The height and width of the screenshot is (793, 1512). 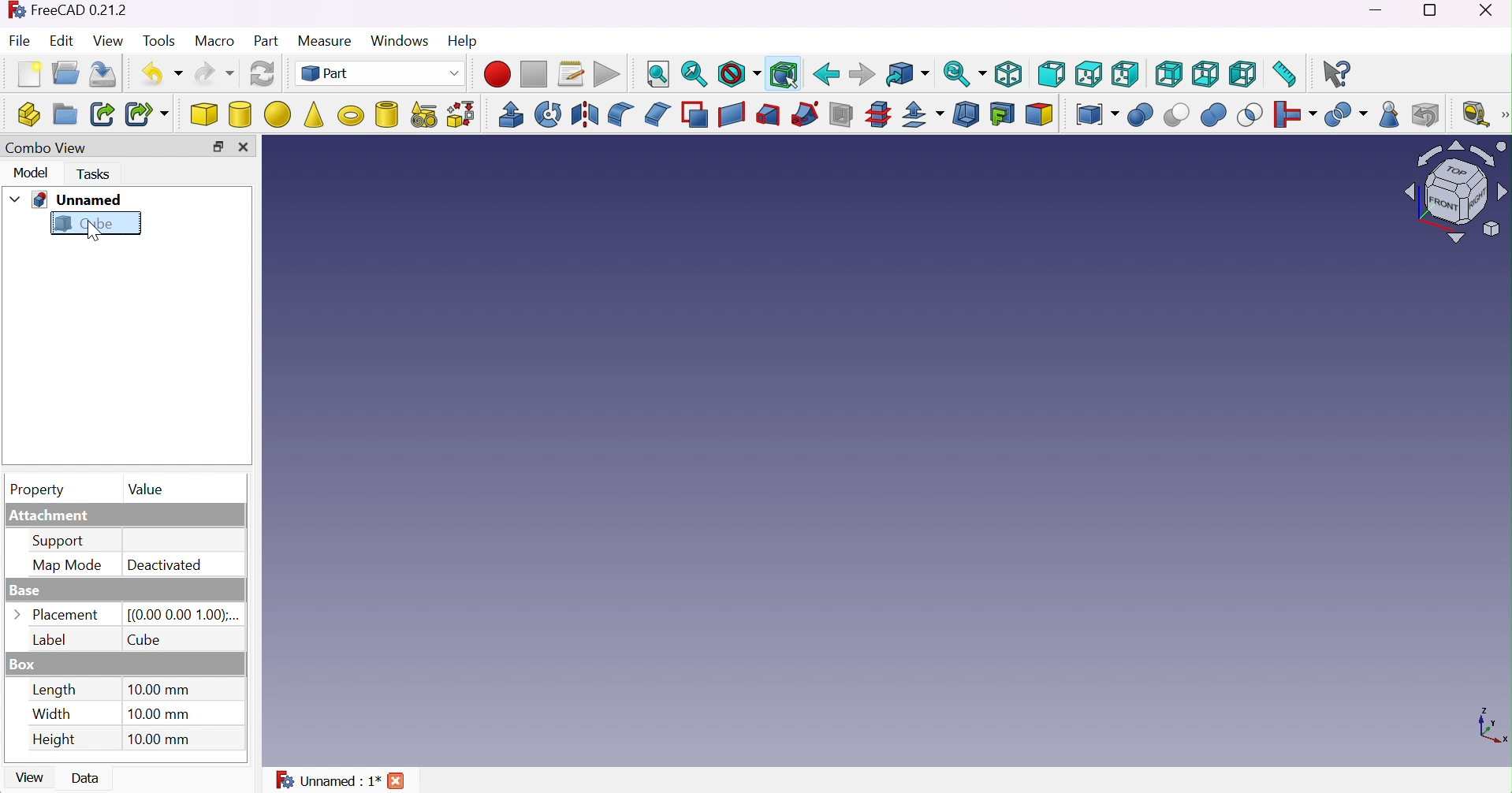 What do you see at coordinates (1001, 114) in the screenshot?
I see `Create projection on surface` at bounding box center [1001, 114].